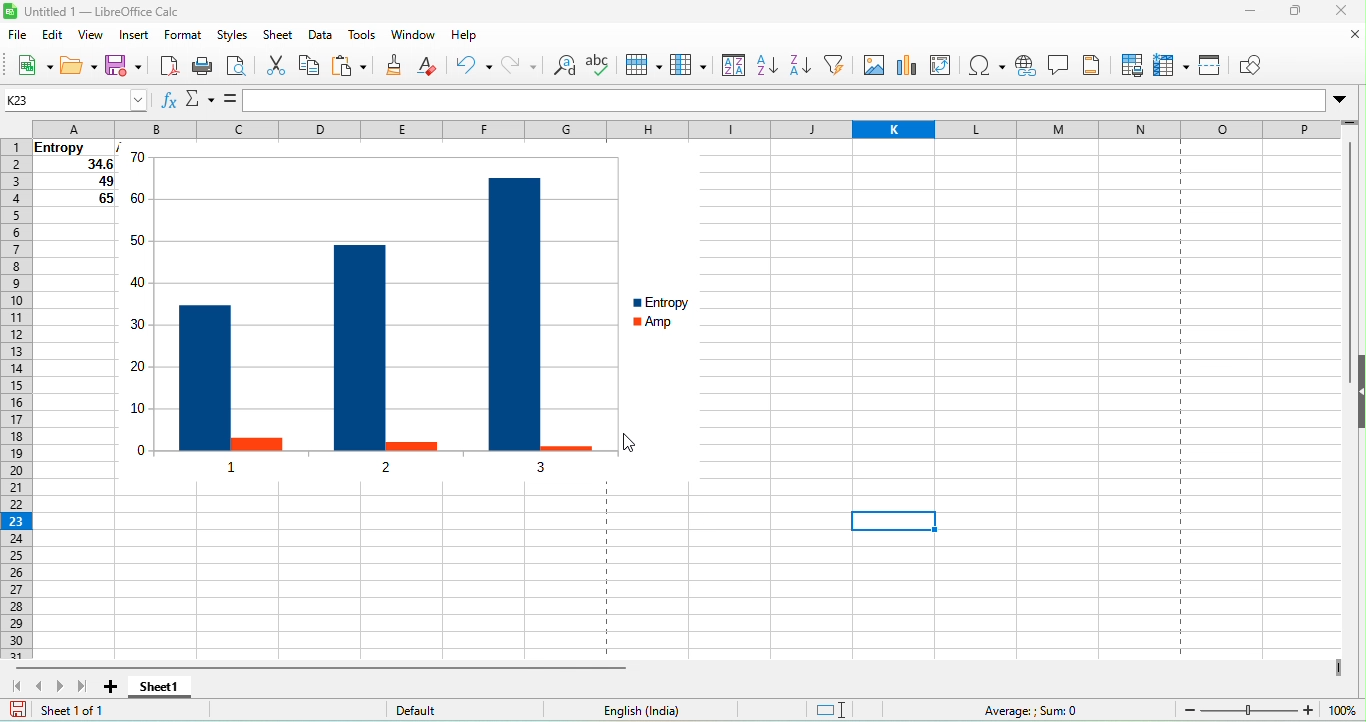 The width and height of the screenshot is (1366, 722). I want to click on name box (k23), so click(74, 99).